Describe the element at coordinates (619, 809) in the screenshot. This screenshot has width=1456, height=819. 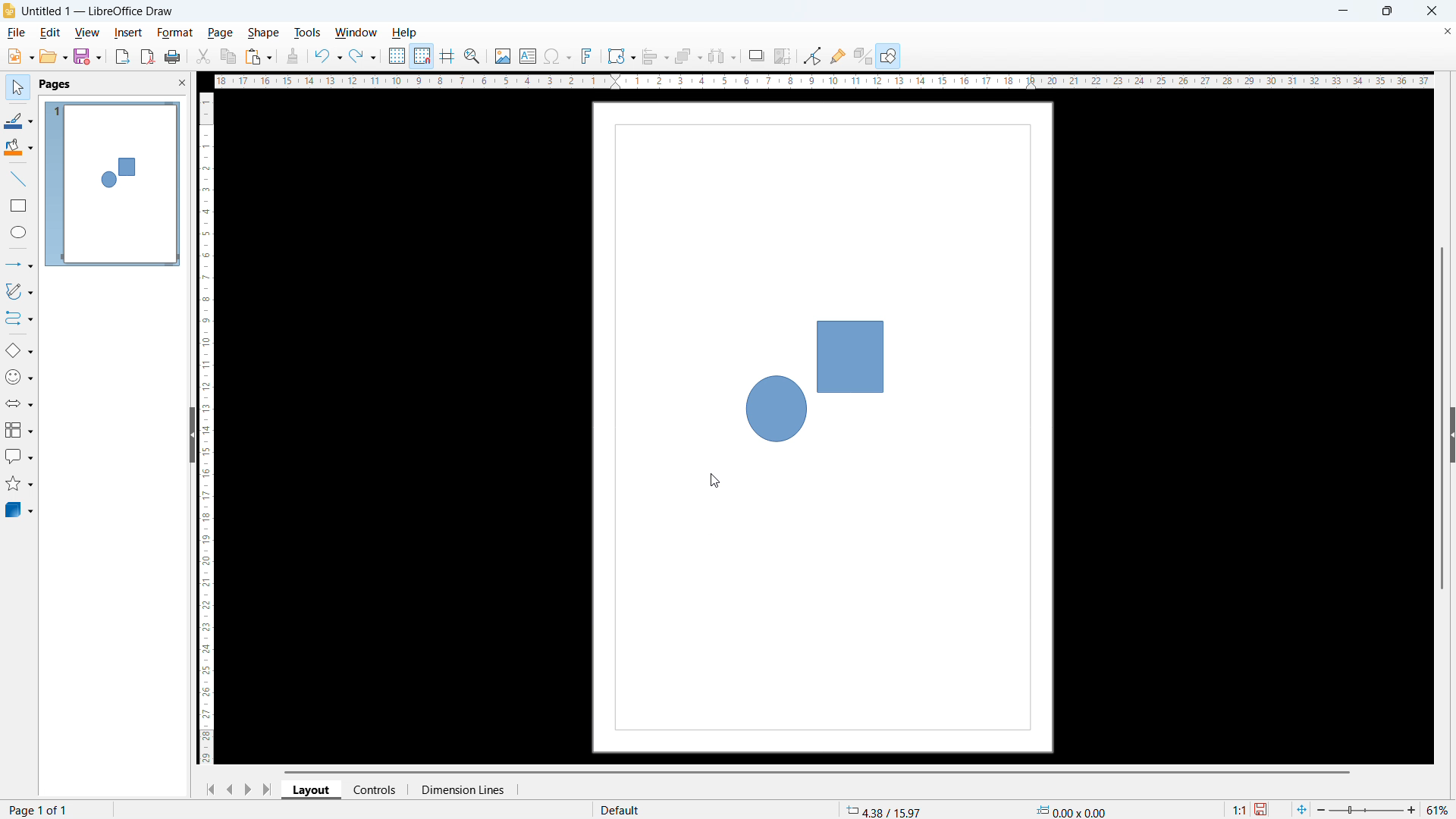
I see `default page display` at that location.